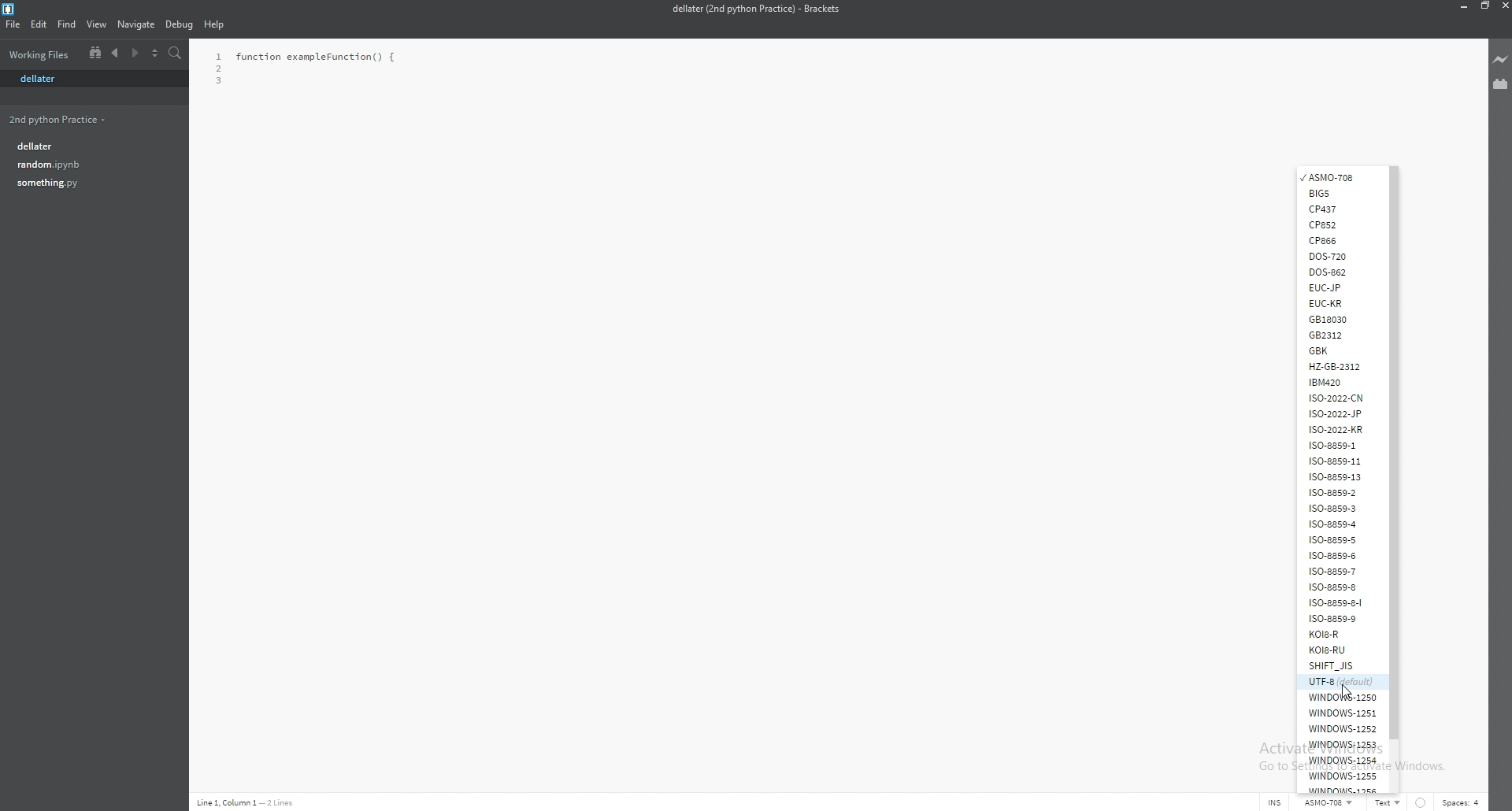  Describe the element at coordinates (1342, 398) in the screenshot. I see `iso-2022-cn` at that location.